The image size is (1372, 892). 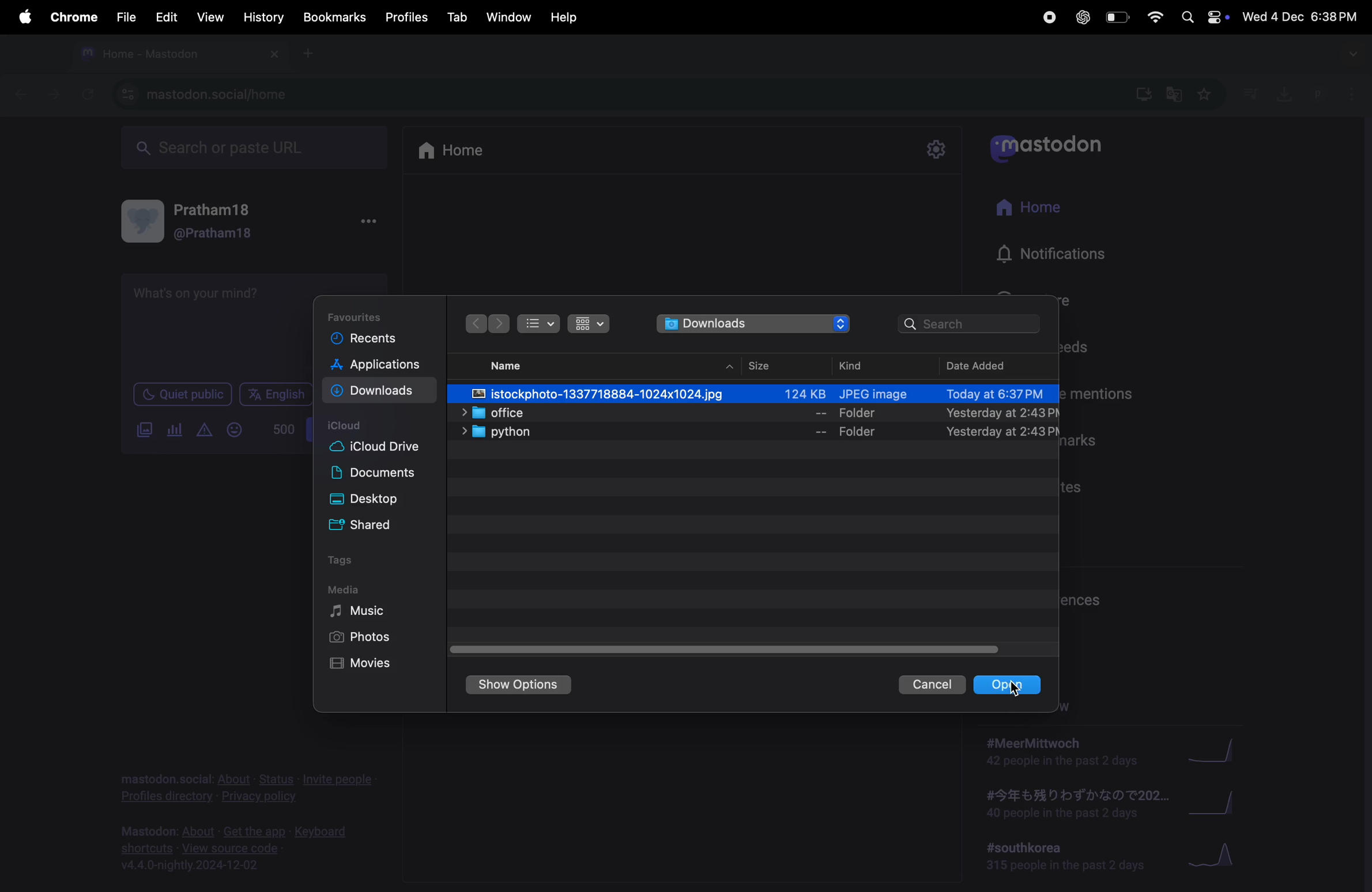 What do you see at coordinates (51, 97) in the screenshot?
I see `forward` at bounding box center [51, 97].